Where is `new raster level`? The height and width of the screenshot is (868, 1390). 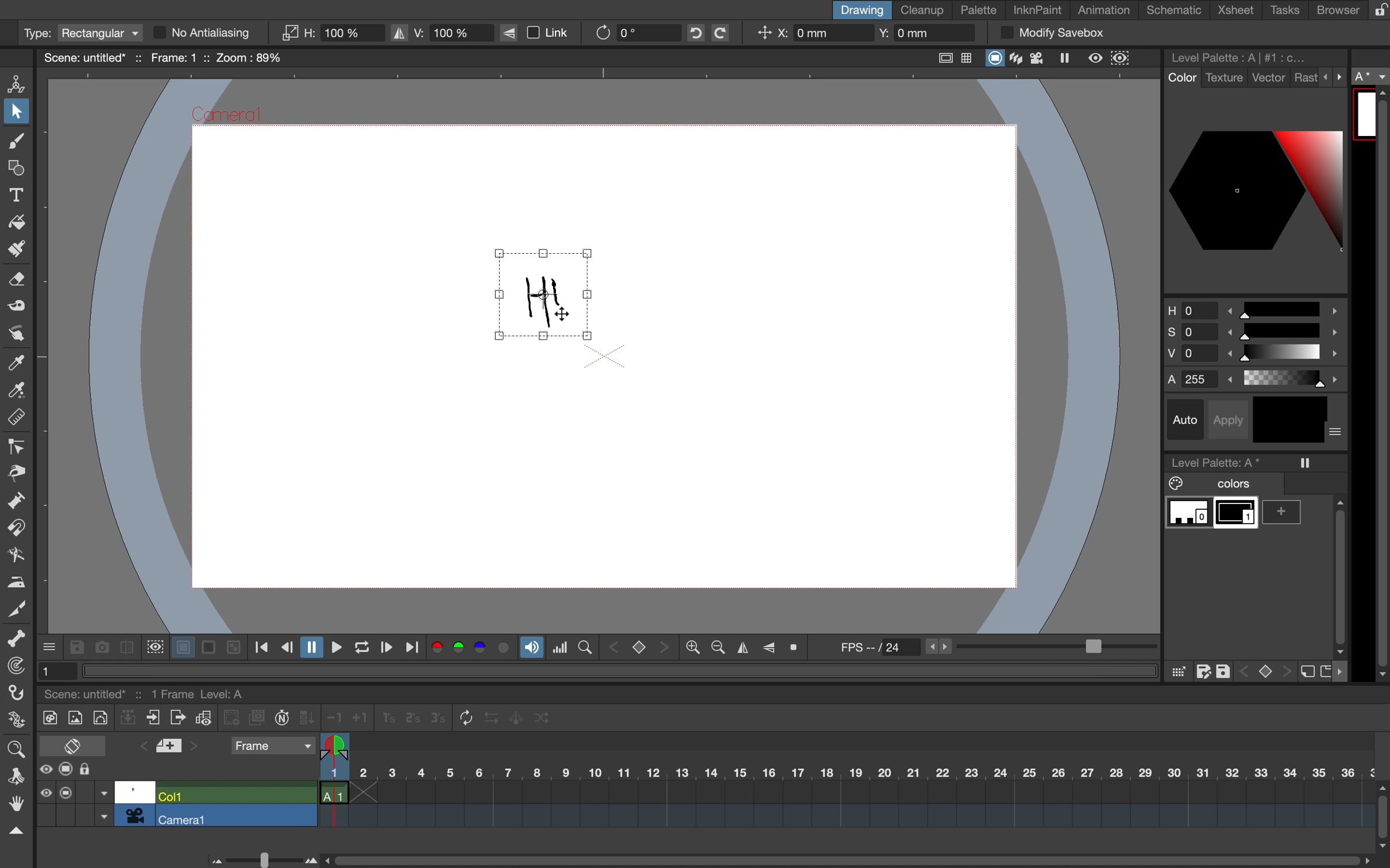
new raster level is located at coordinates (74, 719).